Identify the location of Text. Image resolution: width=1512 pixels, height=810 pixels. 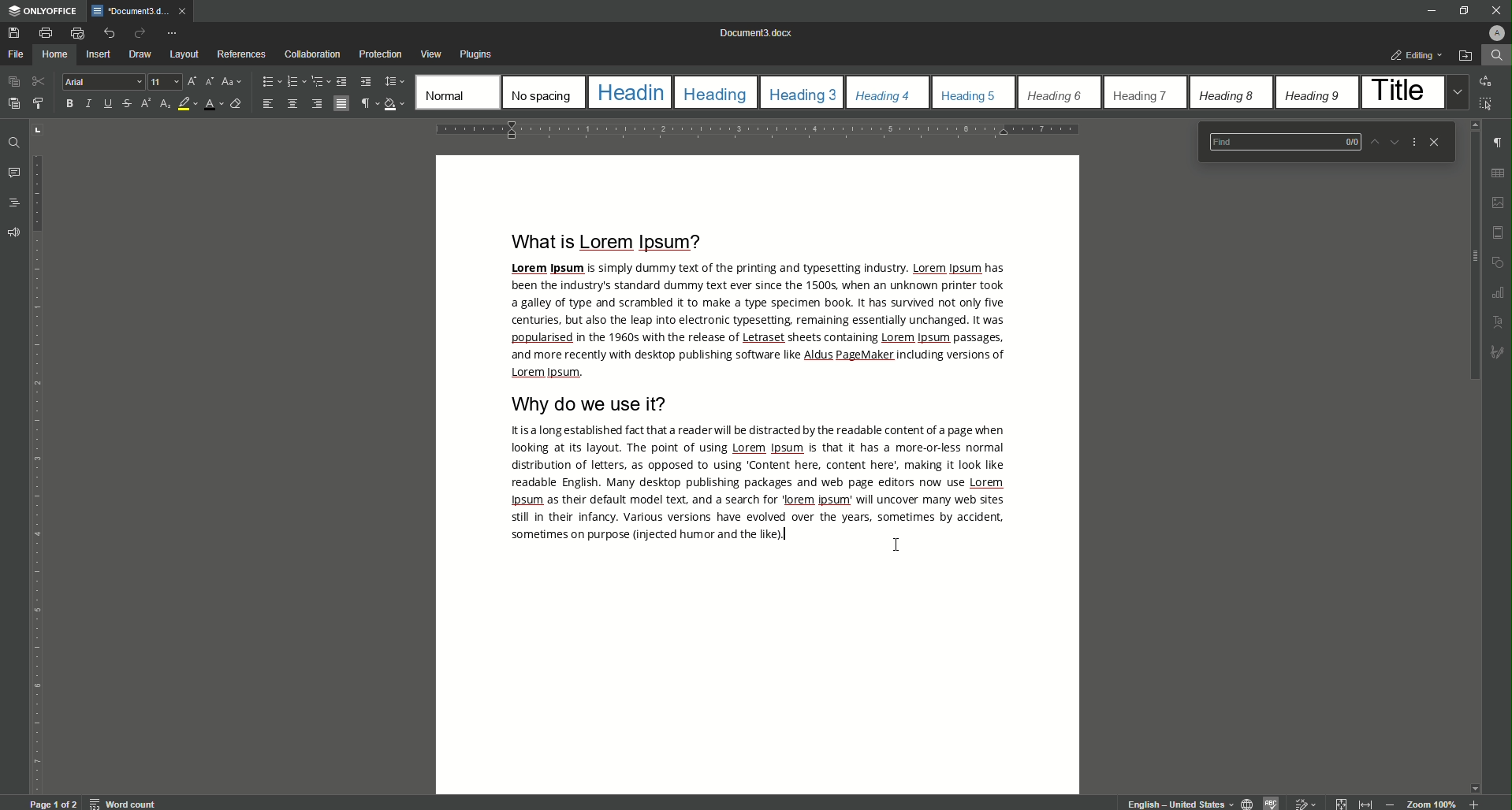
(759, 321).